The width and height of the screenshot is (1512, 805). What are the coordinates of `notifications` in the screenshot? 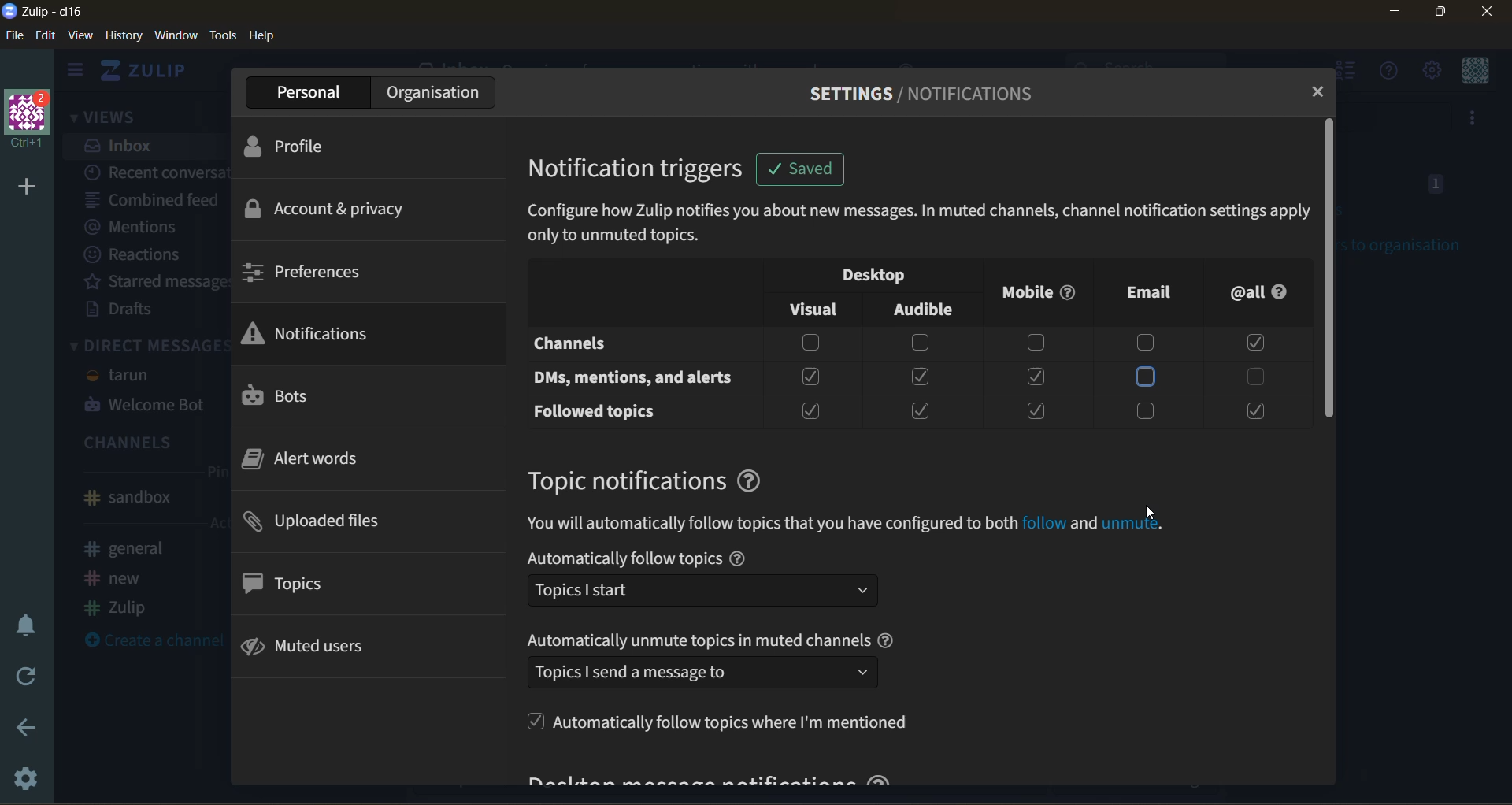 It's located at (312, 336).